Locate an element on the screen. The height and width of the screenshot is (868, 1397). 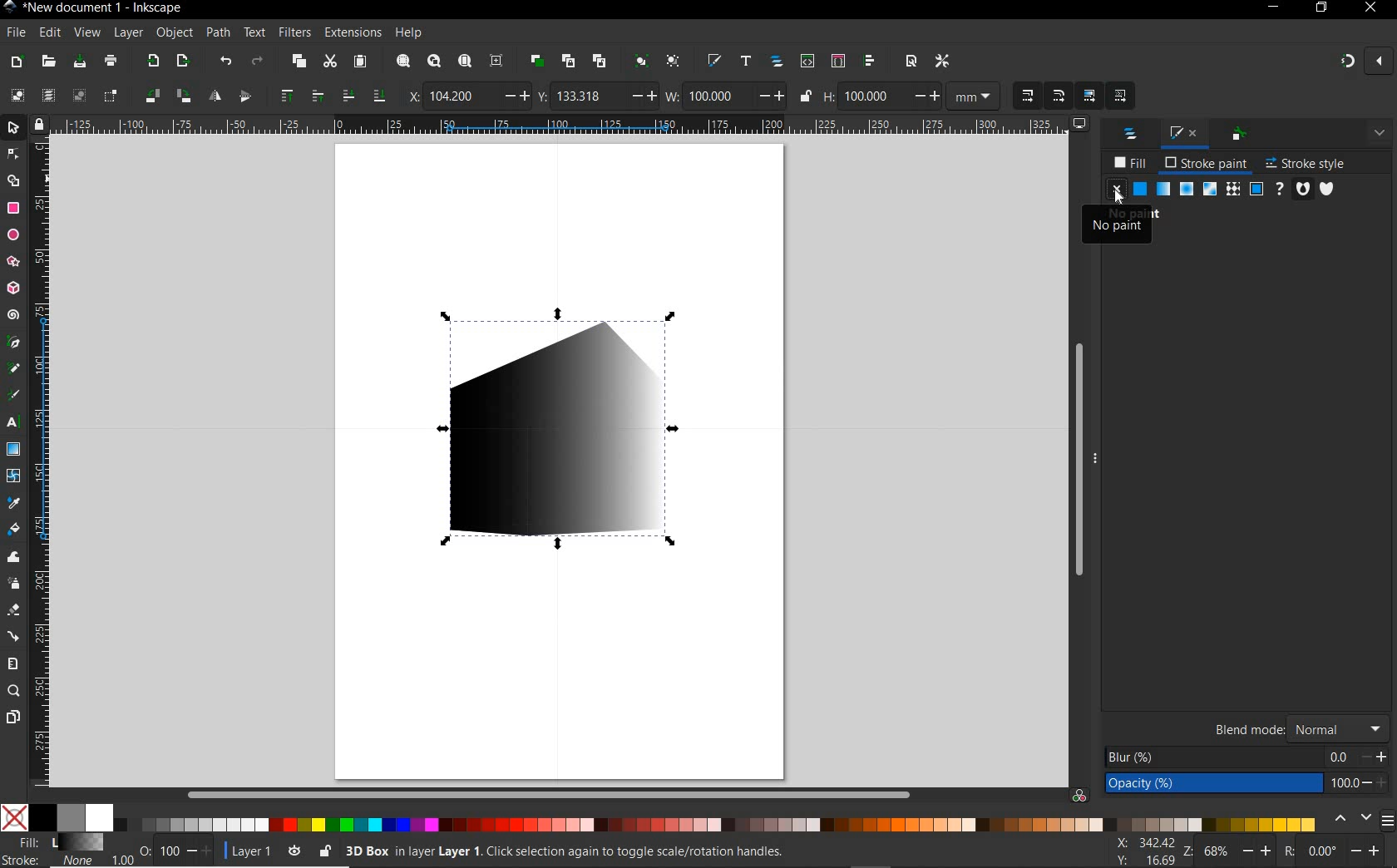
increase/decrease is located at coordinates (200, 851).